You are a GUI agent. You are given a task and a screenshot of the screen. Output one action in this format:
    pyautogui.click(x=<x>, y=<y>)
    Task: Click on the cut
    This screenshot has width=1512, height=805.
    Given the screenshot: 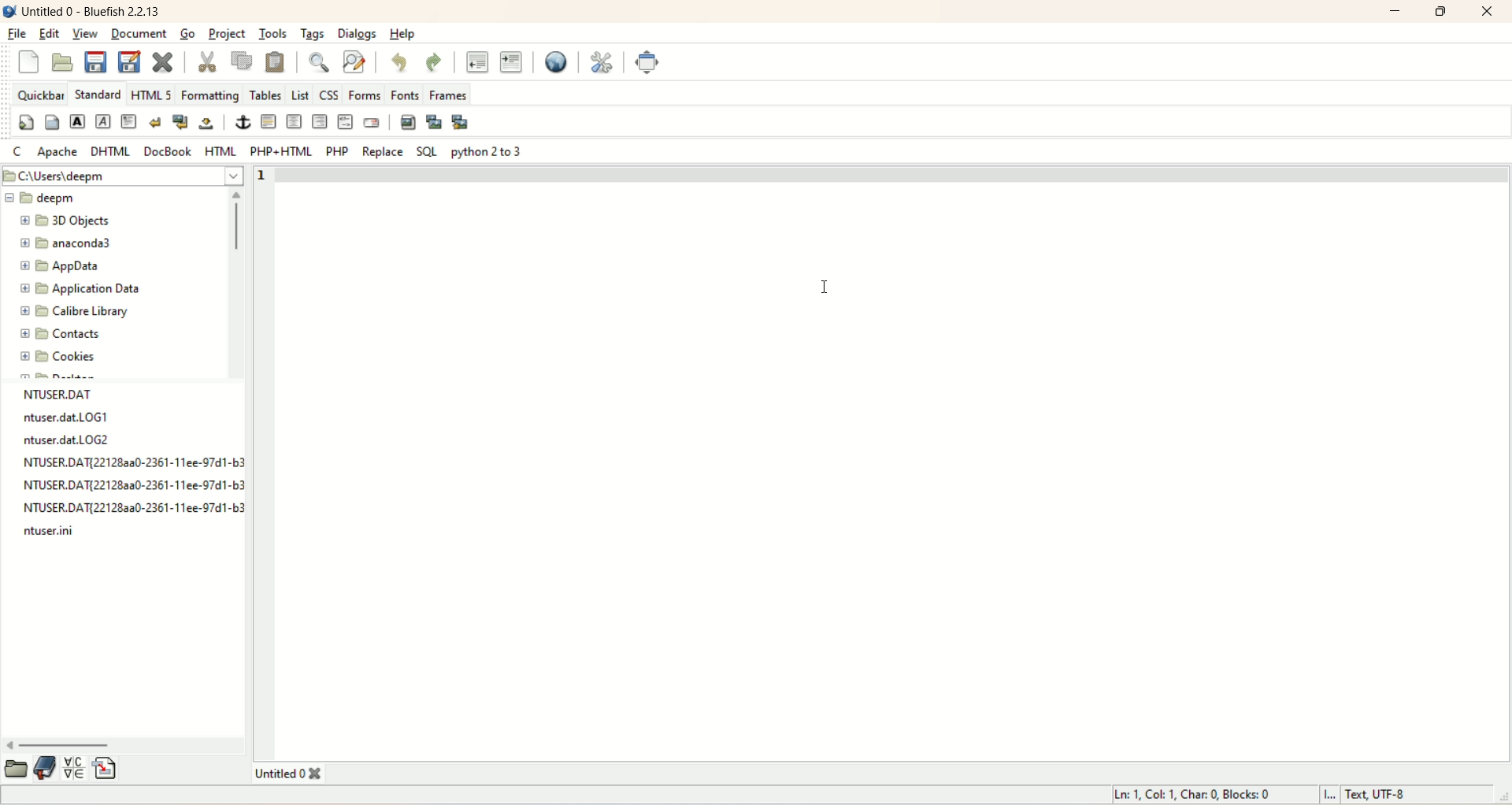 What is the action you would take?
    pyautogui.click(x=214, y=61)
    